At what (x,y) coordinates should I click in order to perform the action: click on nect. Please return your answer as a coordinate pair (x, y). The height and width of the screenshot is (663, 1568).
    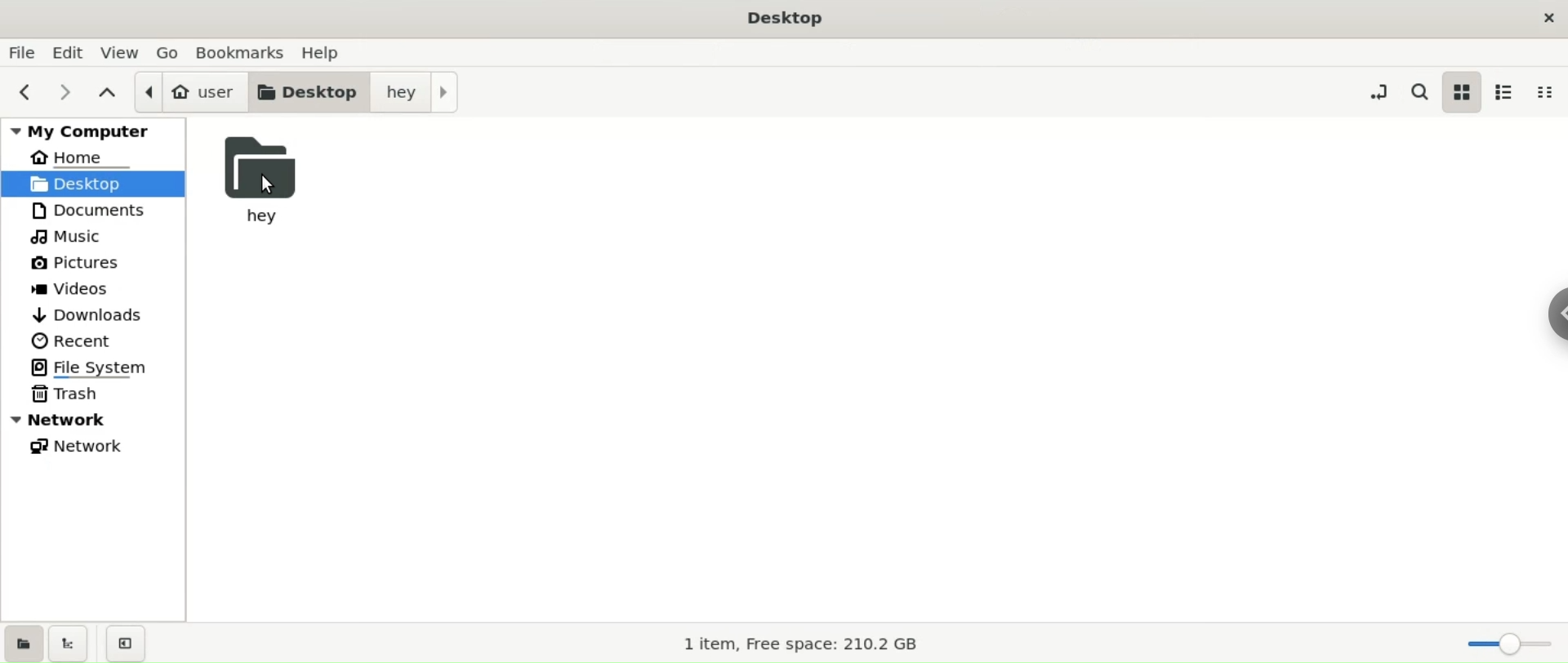
    Looking at the image, I should click on (64, 91).